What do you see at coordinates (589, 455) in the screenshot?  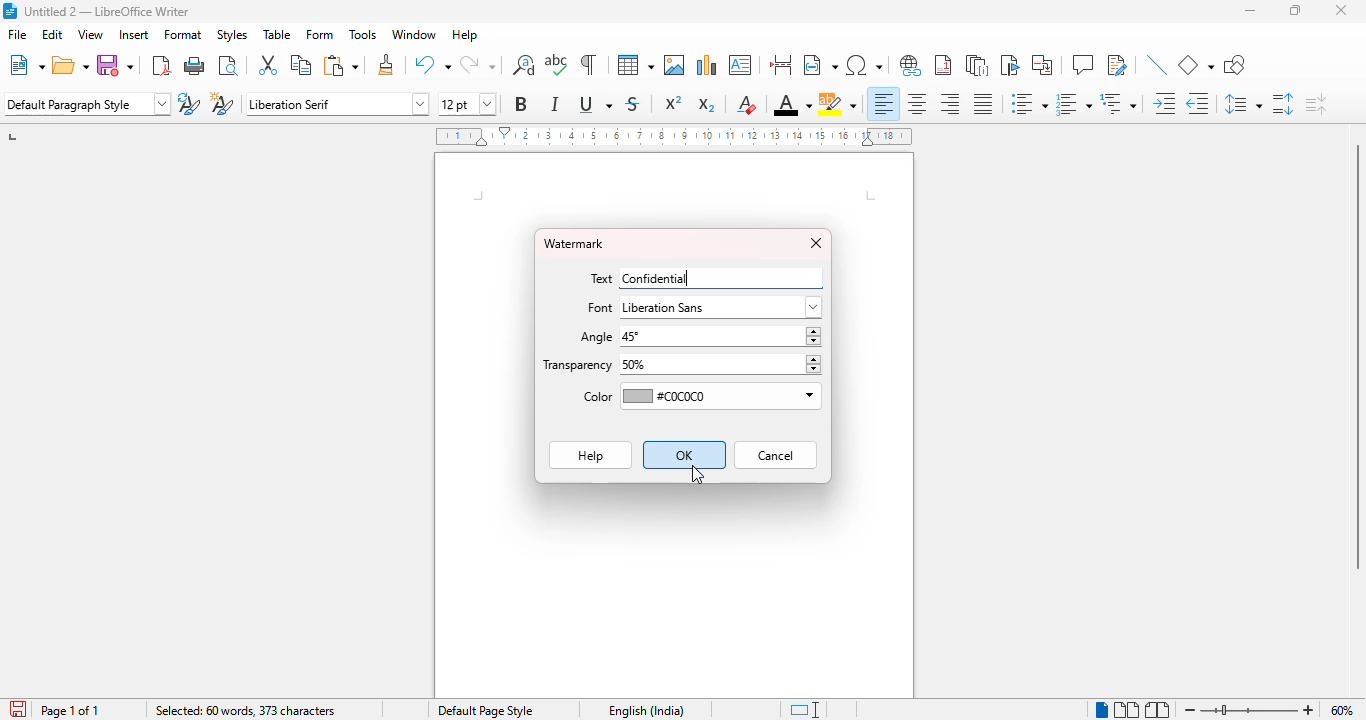 I see `help` at bounding box center [589, 455].